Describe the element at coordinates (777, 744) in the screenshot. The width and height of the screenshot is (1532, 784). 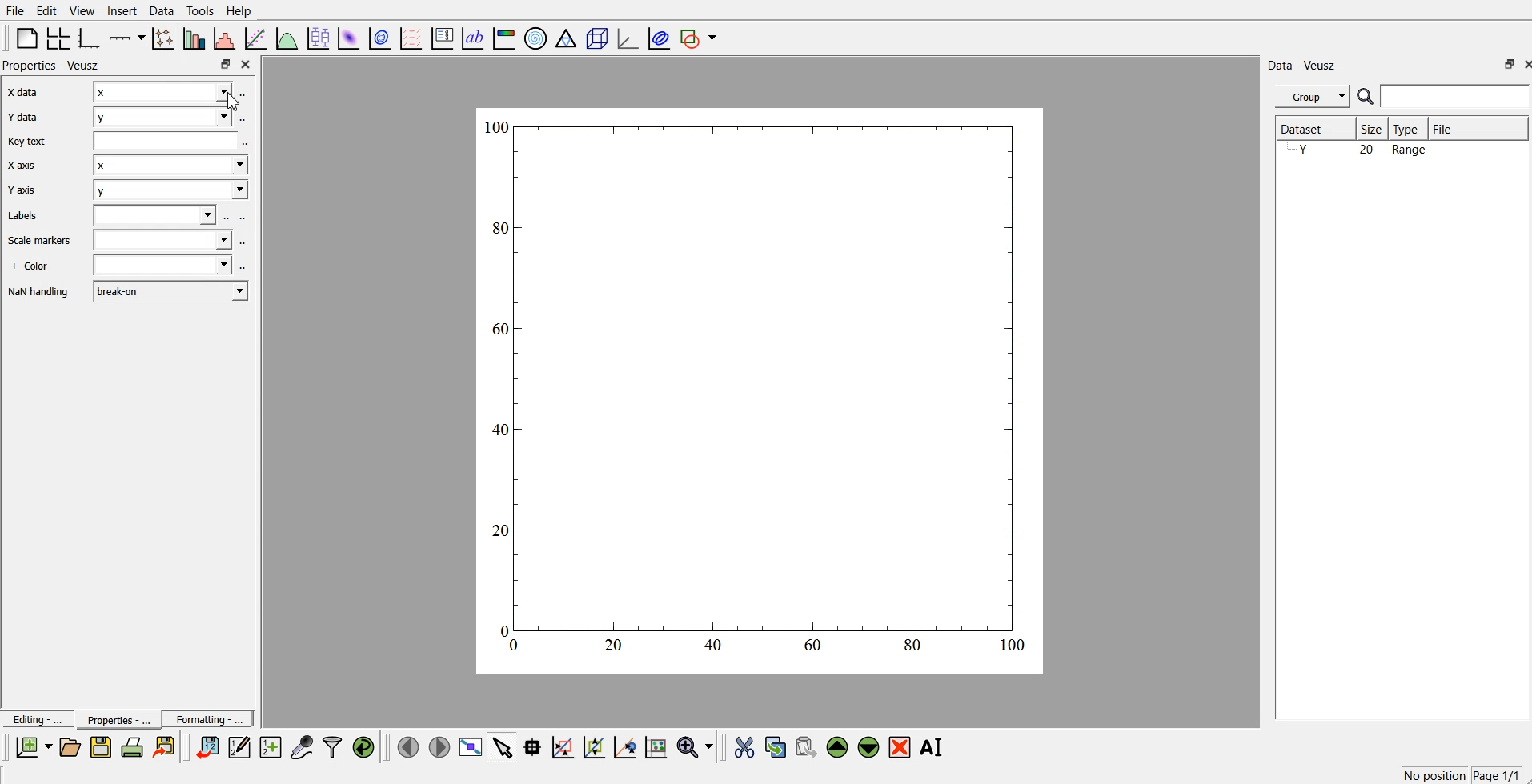
I see `copy` at that location.